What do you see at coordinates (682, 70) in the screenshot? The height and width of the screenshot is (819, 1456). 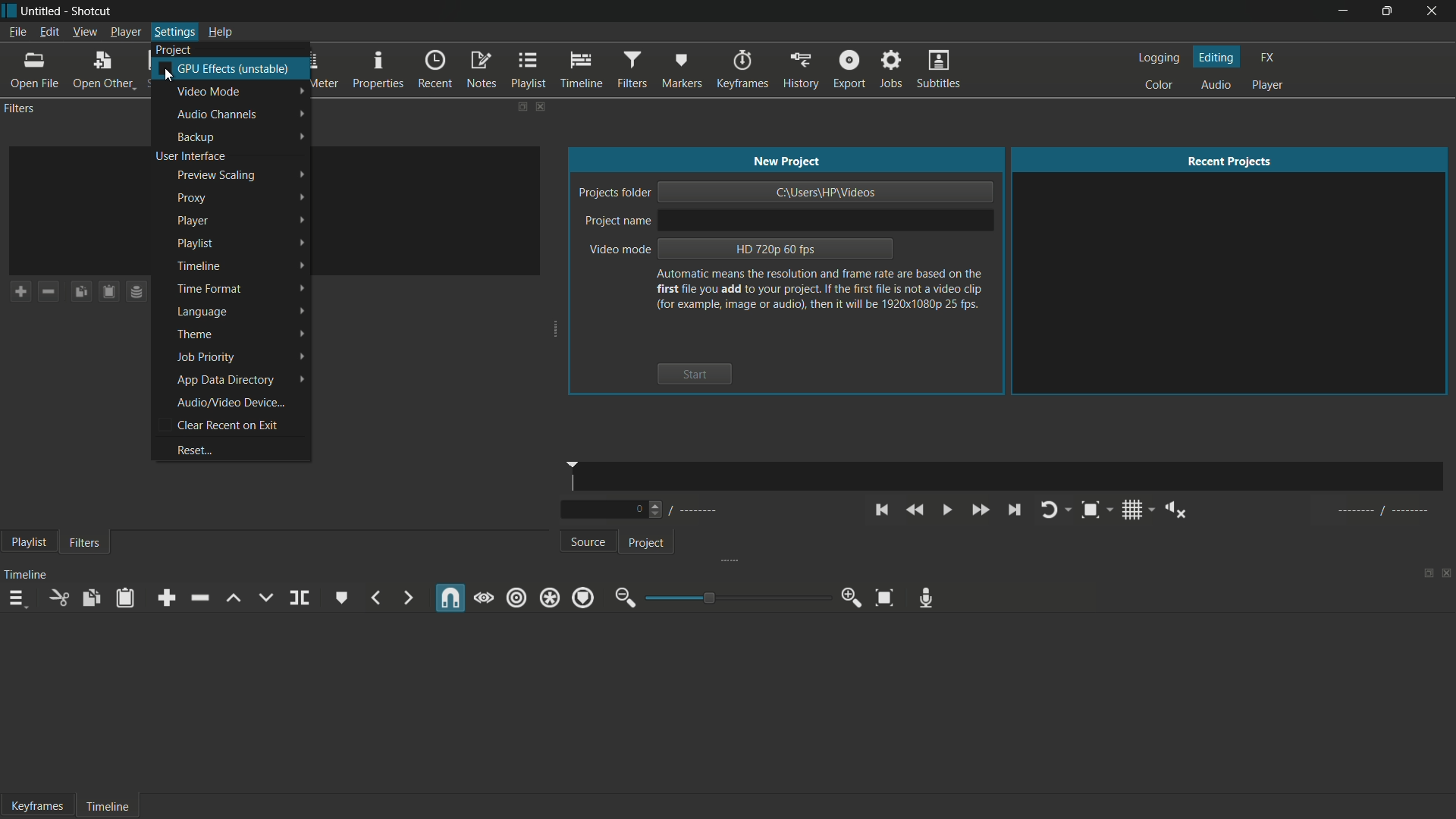 I see `markers` at bounding box center [682, 70].